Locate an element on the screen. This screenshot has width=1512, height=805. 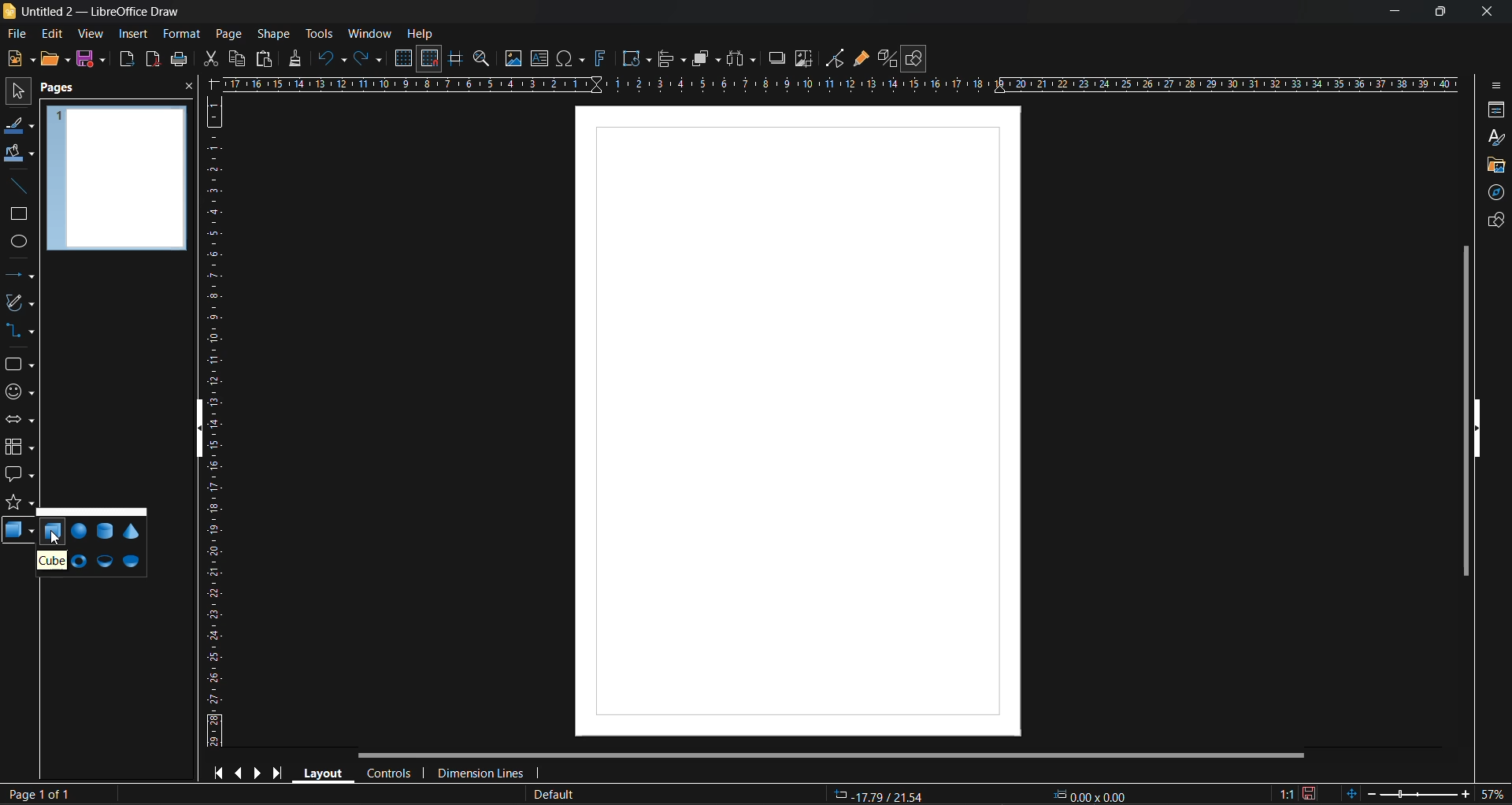
sidebar is located at coordinates (1494, 83).